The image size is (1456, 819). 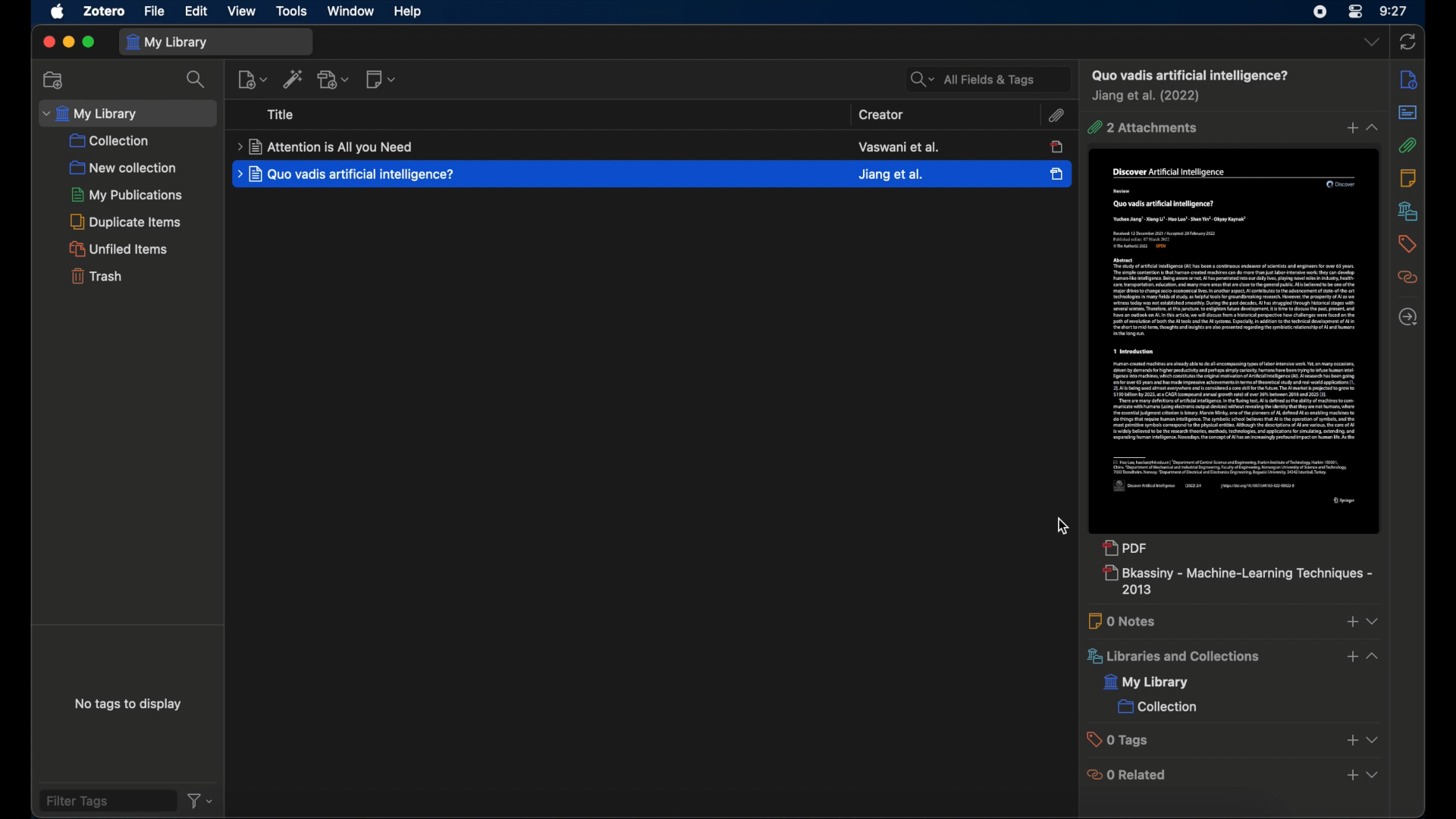 What do you see at coordinates (1407, 211) in the screenshot?
I see `libraries and collections` at bounding box center [1407, 211].